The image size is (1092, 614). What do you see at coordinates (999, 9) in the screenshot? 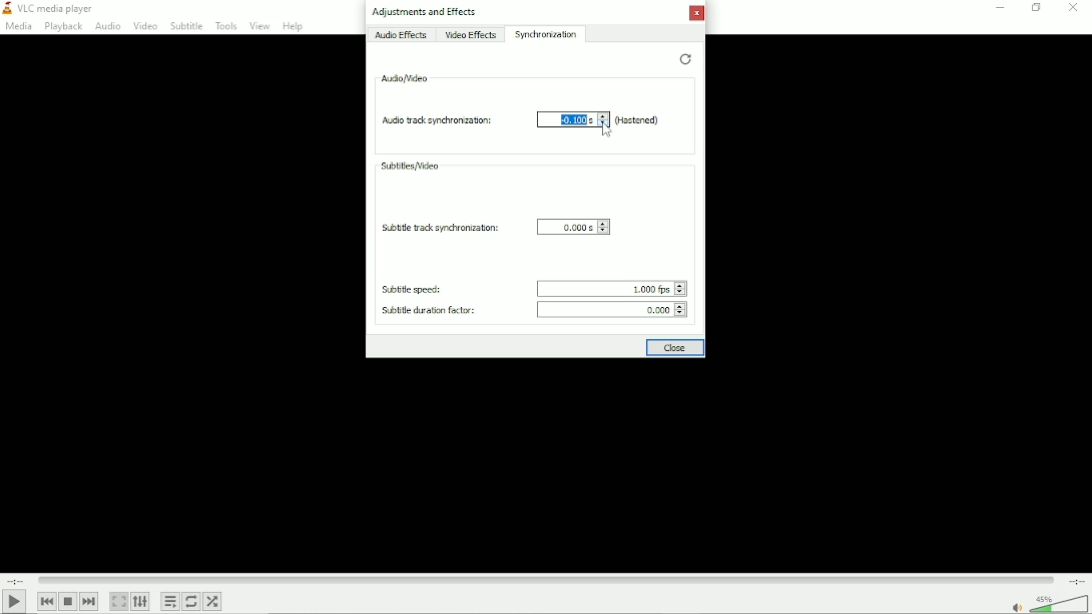
I see `Minimize` at bounding box center [999, 9].